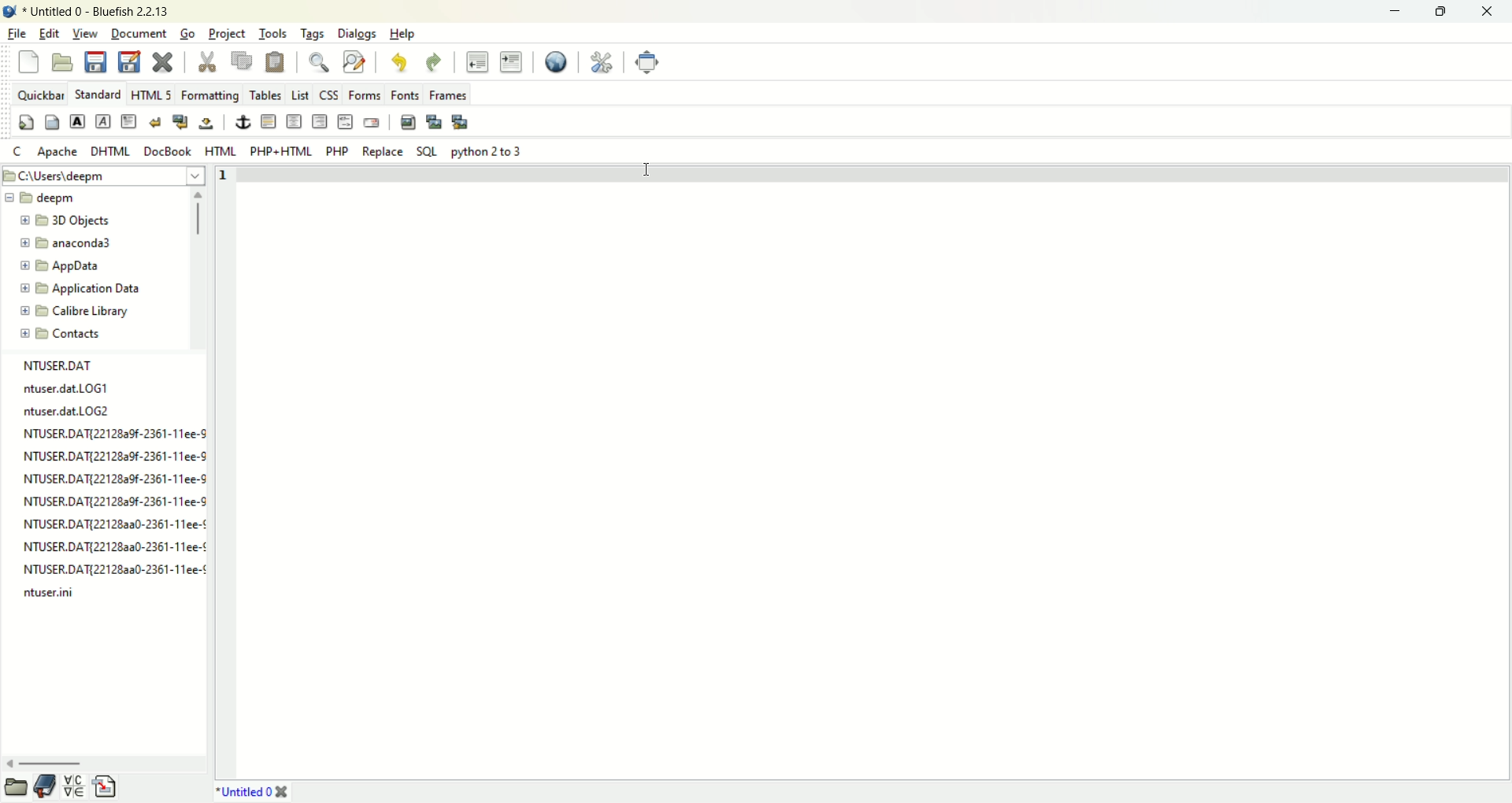 Image resolution: width=1512 pixels, height=803 pixels. Describe the element at coordinates (113, 476) in the screenshot. I see `NTUSER.DAT{2212829f-2361-11ee-S` at that location.